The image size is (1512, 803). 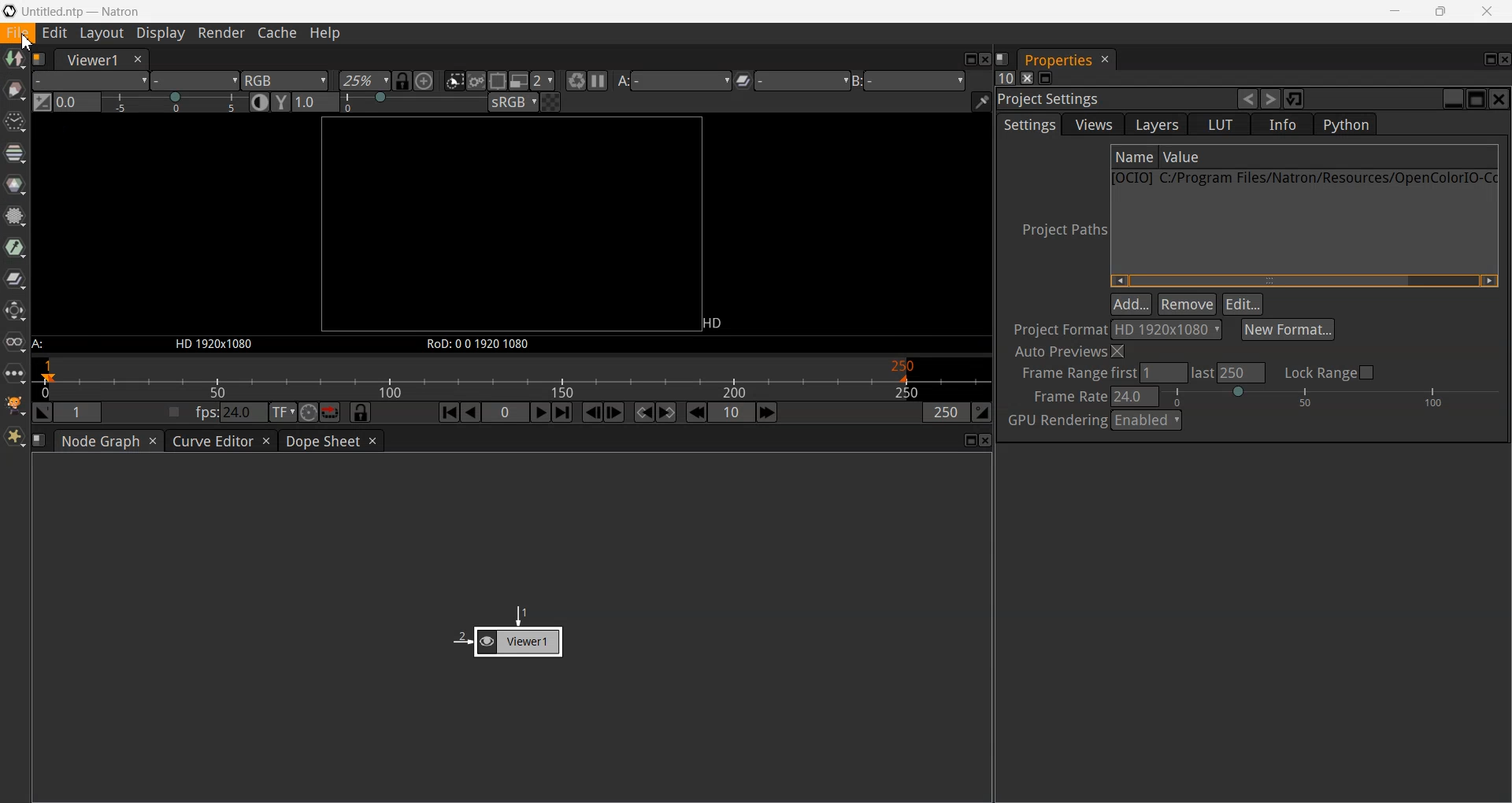 What do you see at coordinates (506, 412) in the screenshot?
I see `Current frame number` at bounding box center [506, 412].